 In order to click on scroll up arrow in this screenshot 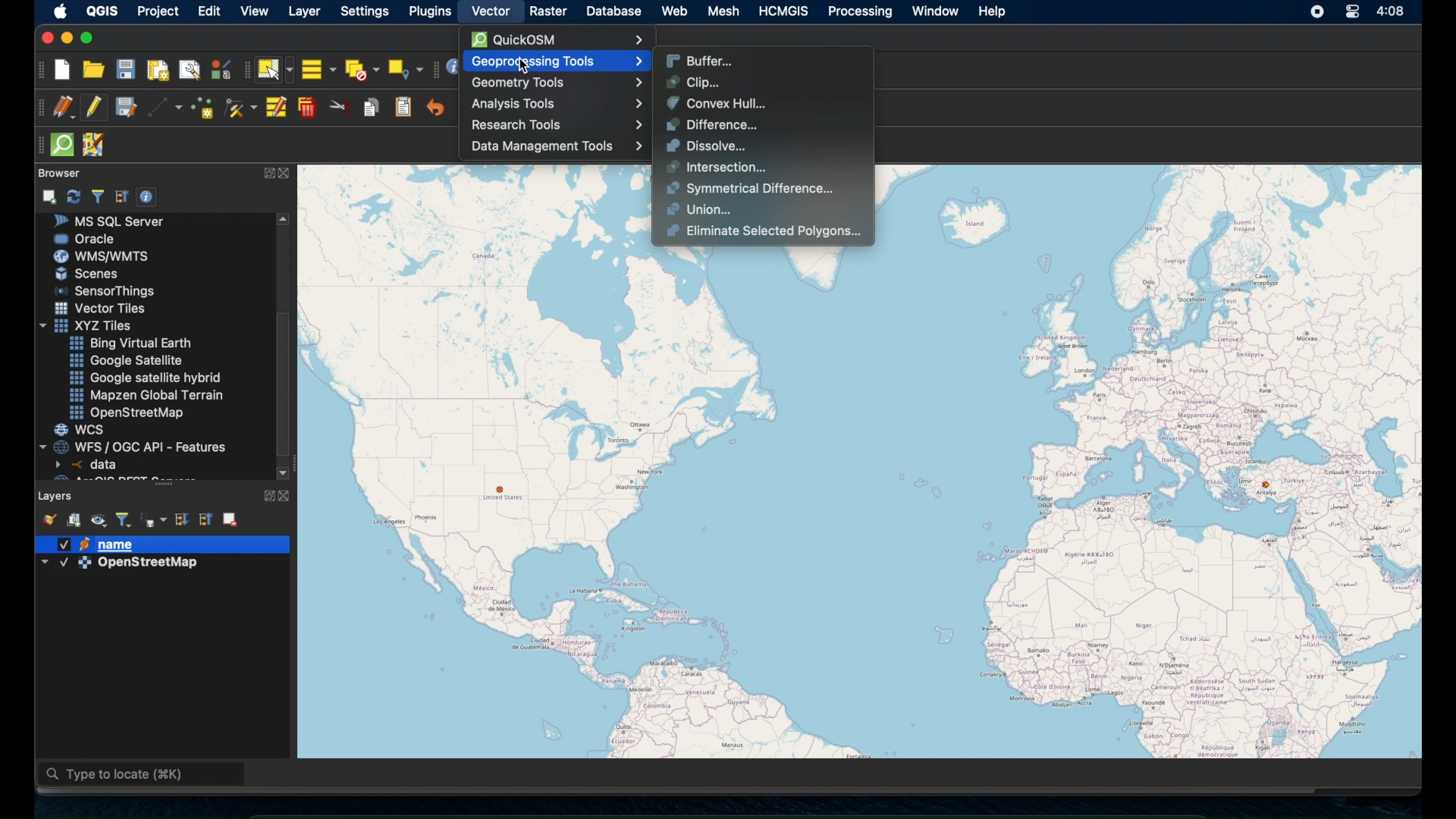, I will do `click(285, 218)`.